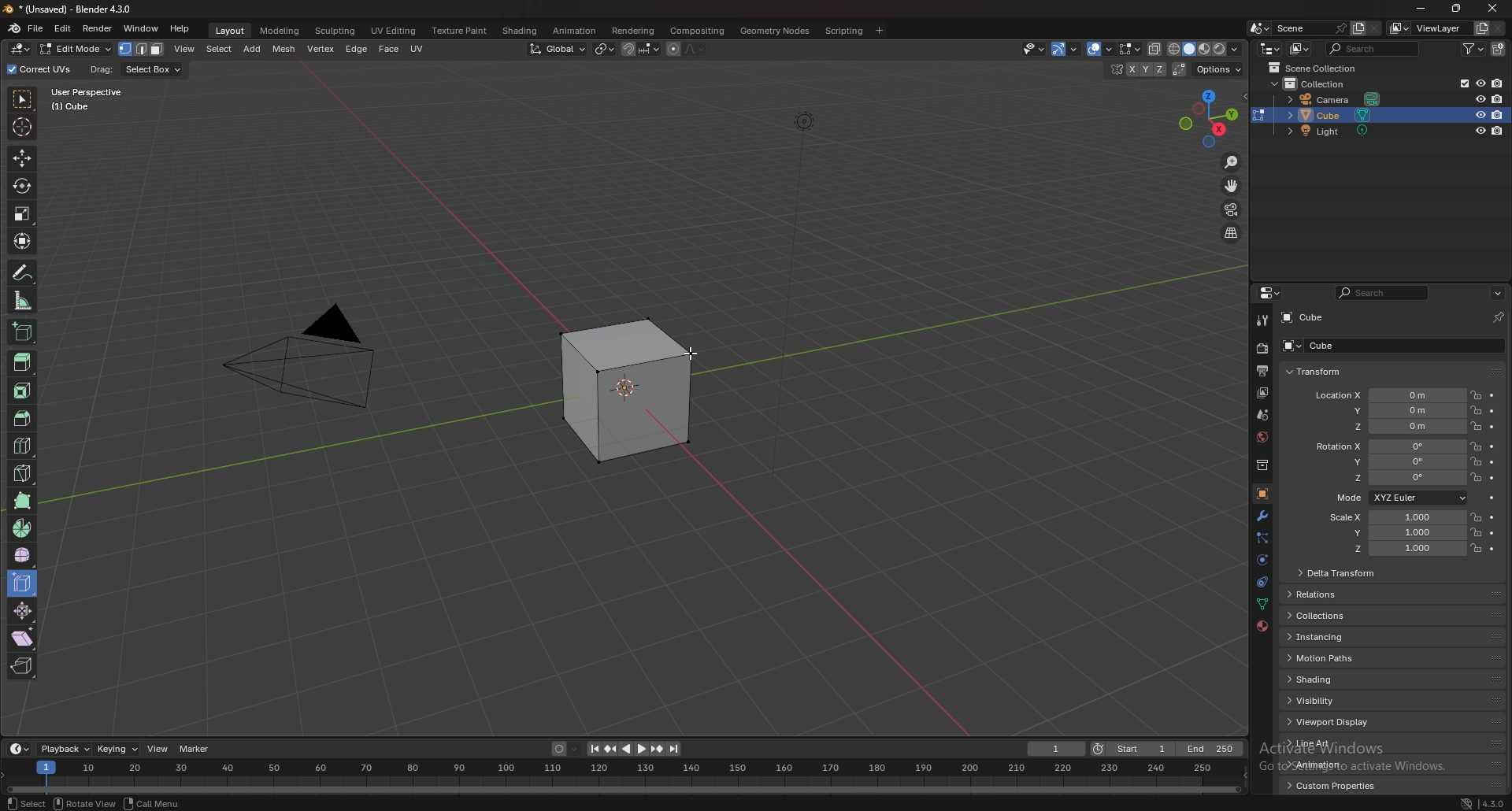 The width and height of the screenshot is (1512, 811). Describe the element at coordinates (1258, 28) in the screenshot. I see `browse scene` at that location.